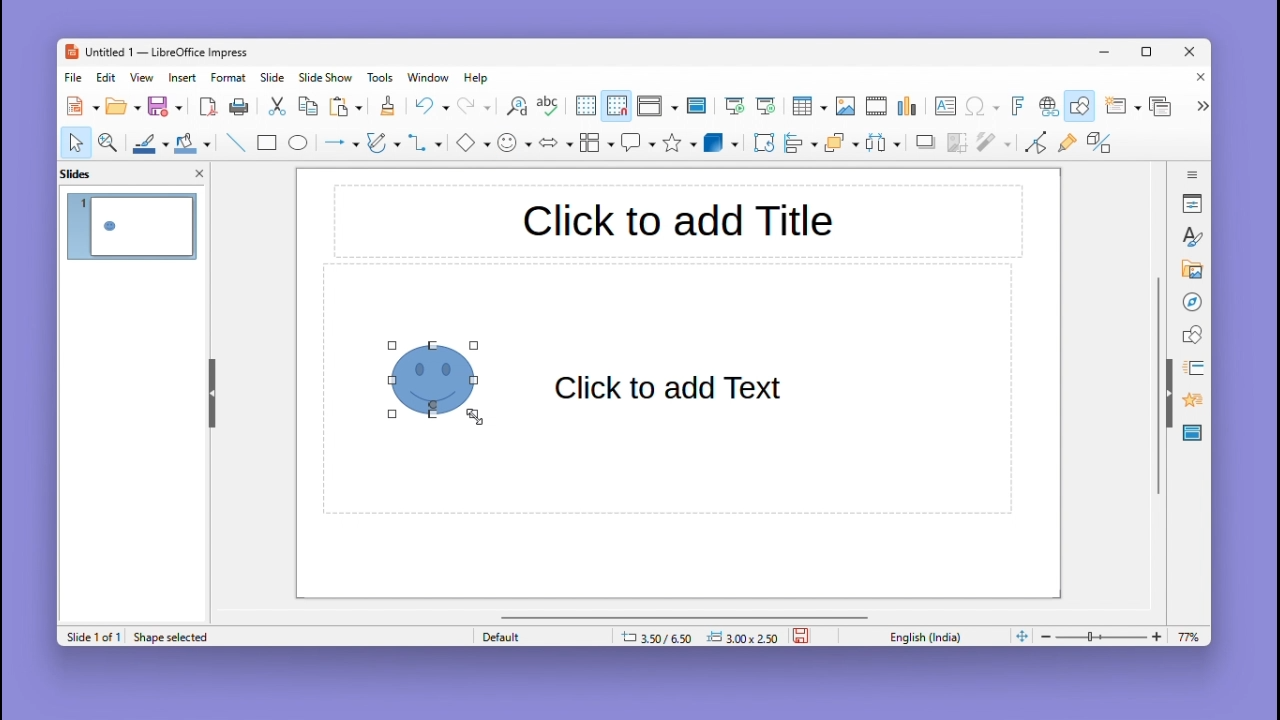  What do you see at coordinates (839, 145) in the screenshot?
I see `Arrange` at bounding box center [839, 145].